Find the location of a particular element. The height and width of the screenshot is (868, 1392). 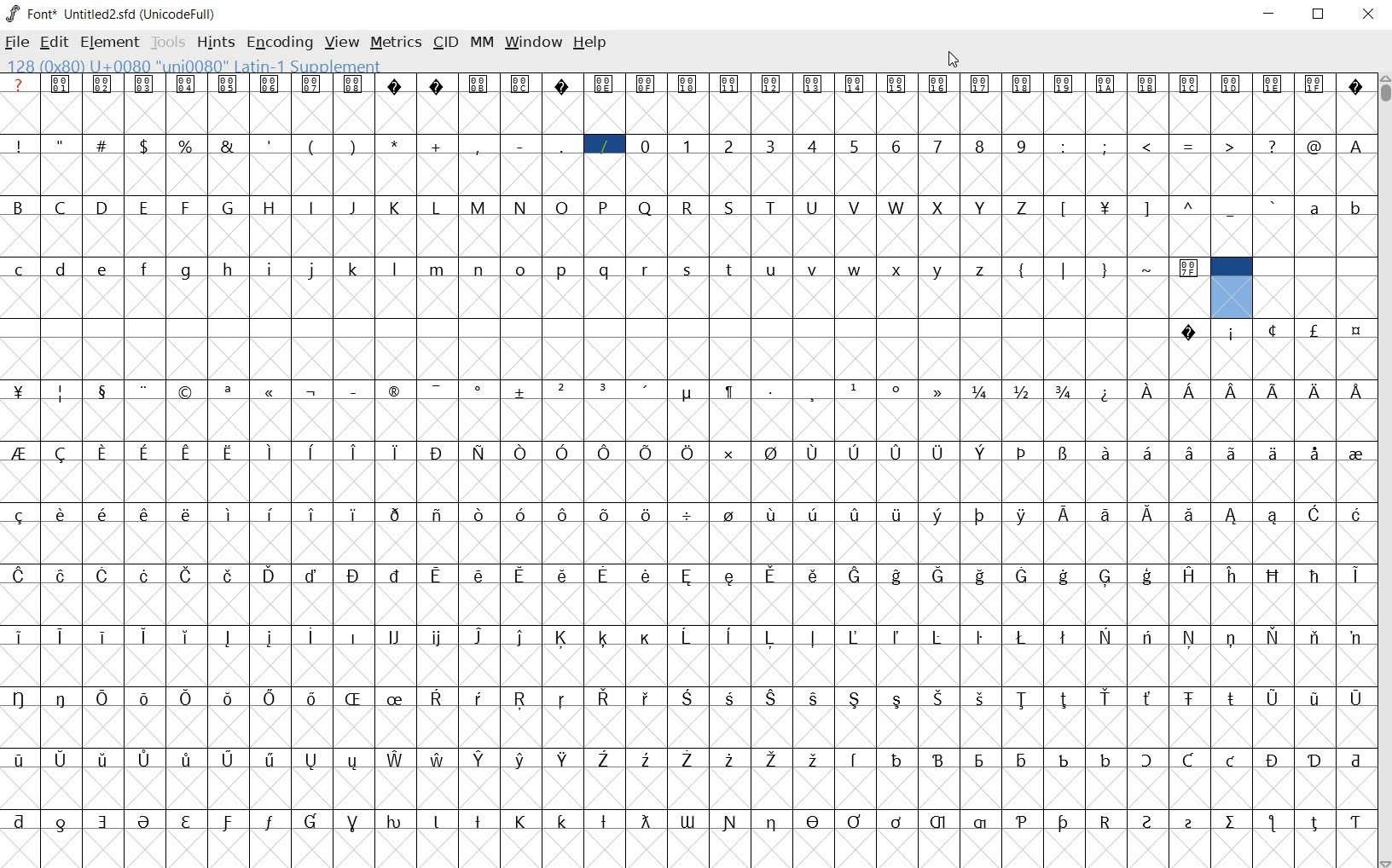

Symbol is located at coordinates (314, 391).